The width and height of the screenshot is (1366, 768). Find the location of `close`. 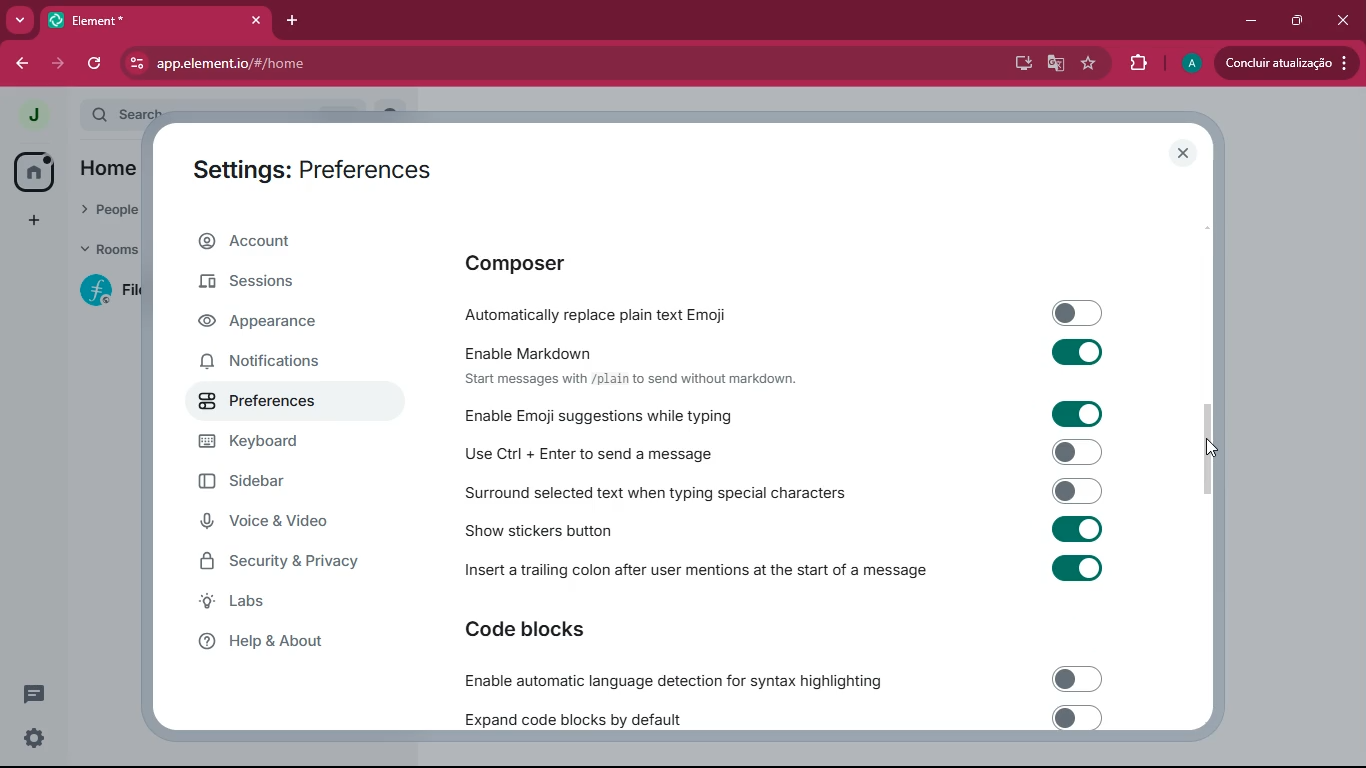

close is located at coordinates (1185, 155).